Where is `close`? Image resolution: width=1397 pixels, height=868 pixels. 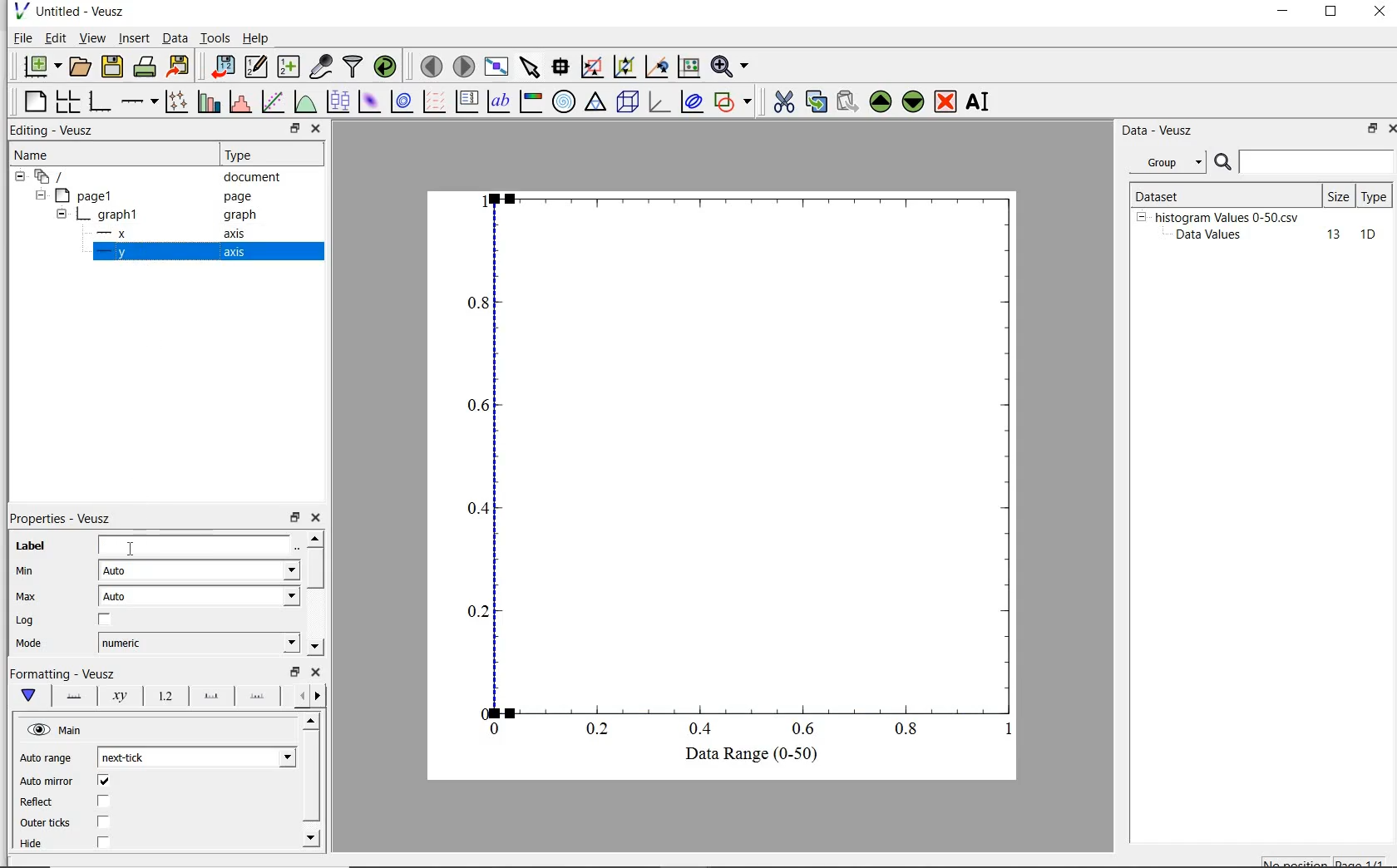
close is located at coordinates (1389, 131).